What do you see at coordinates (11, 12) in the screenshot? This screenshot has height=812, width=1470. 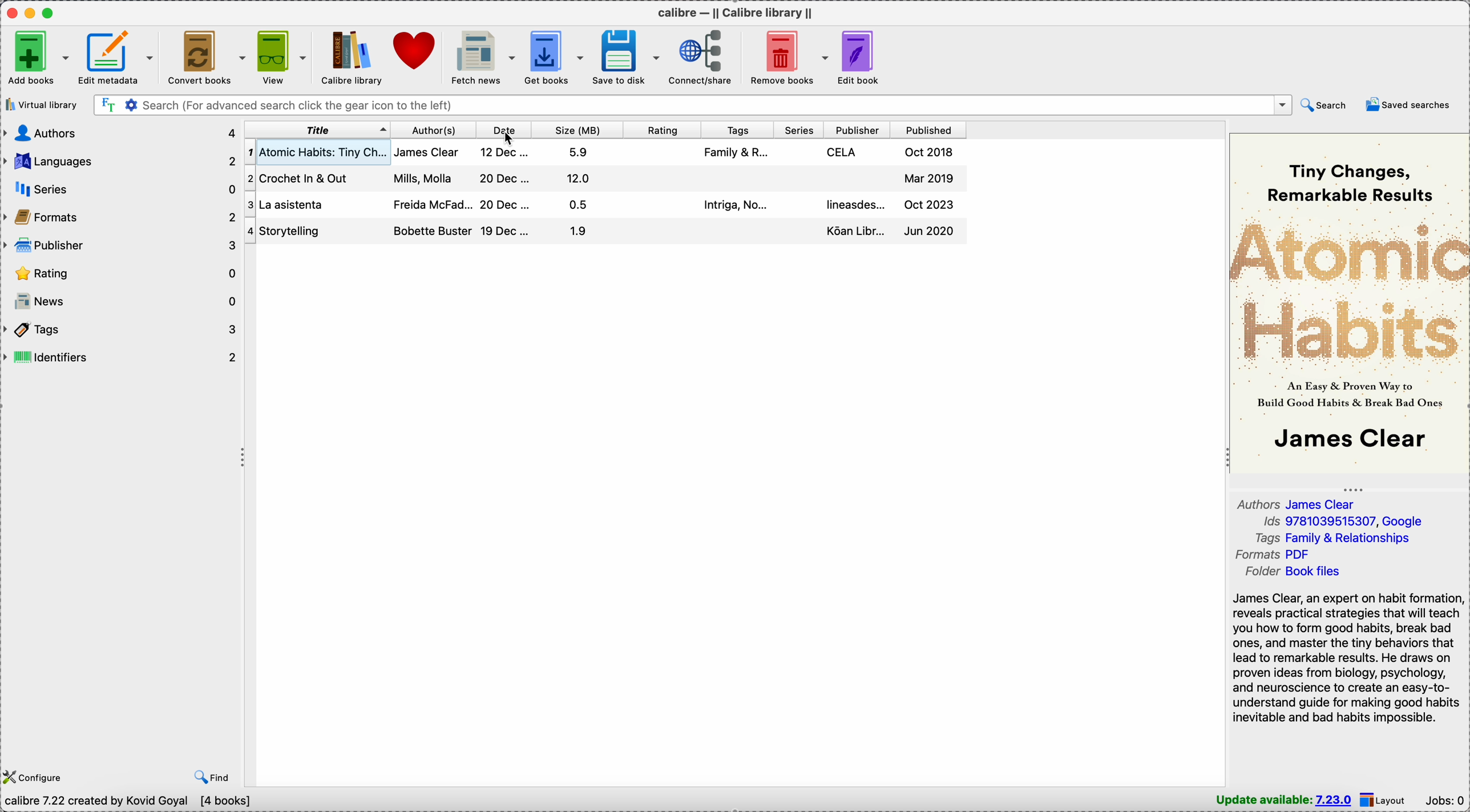 I see `close Calibre` at bounding box center [11, 12].